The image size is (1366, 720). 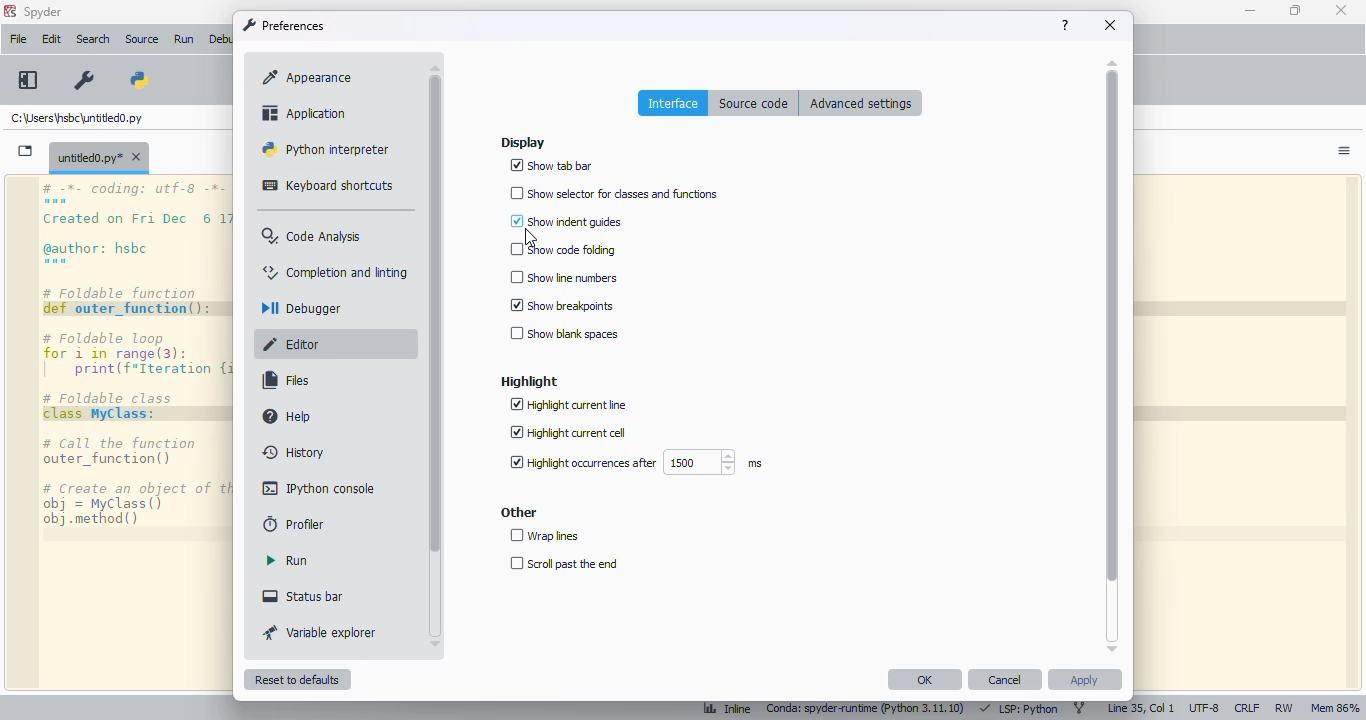 What do you see at coordinates (93, 39) in the screenshot?
I see `search` at bounding box center [93, 39].